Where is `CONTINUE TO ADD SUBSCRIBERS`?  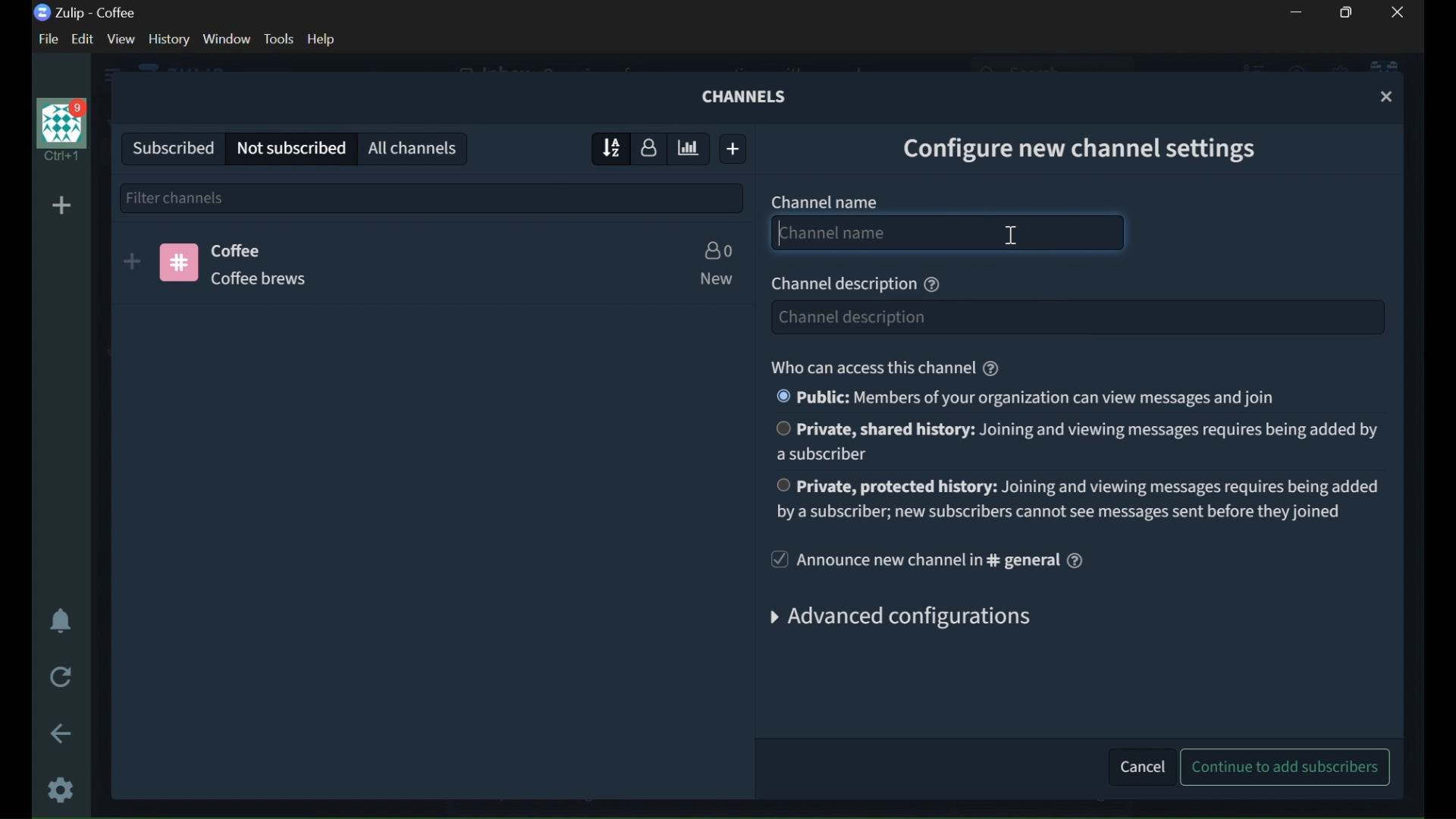 CONTINUE TO ADD SUBSCRIBERS is located at coordinates (1288, 767).